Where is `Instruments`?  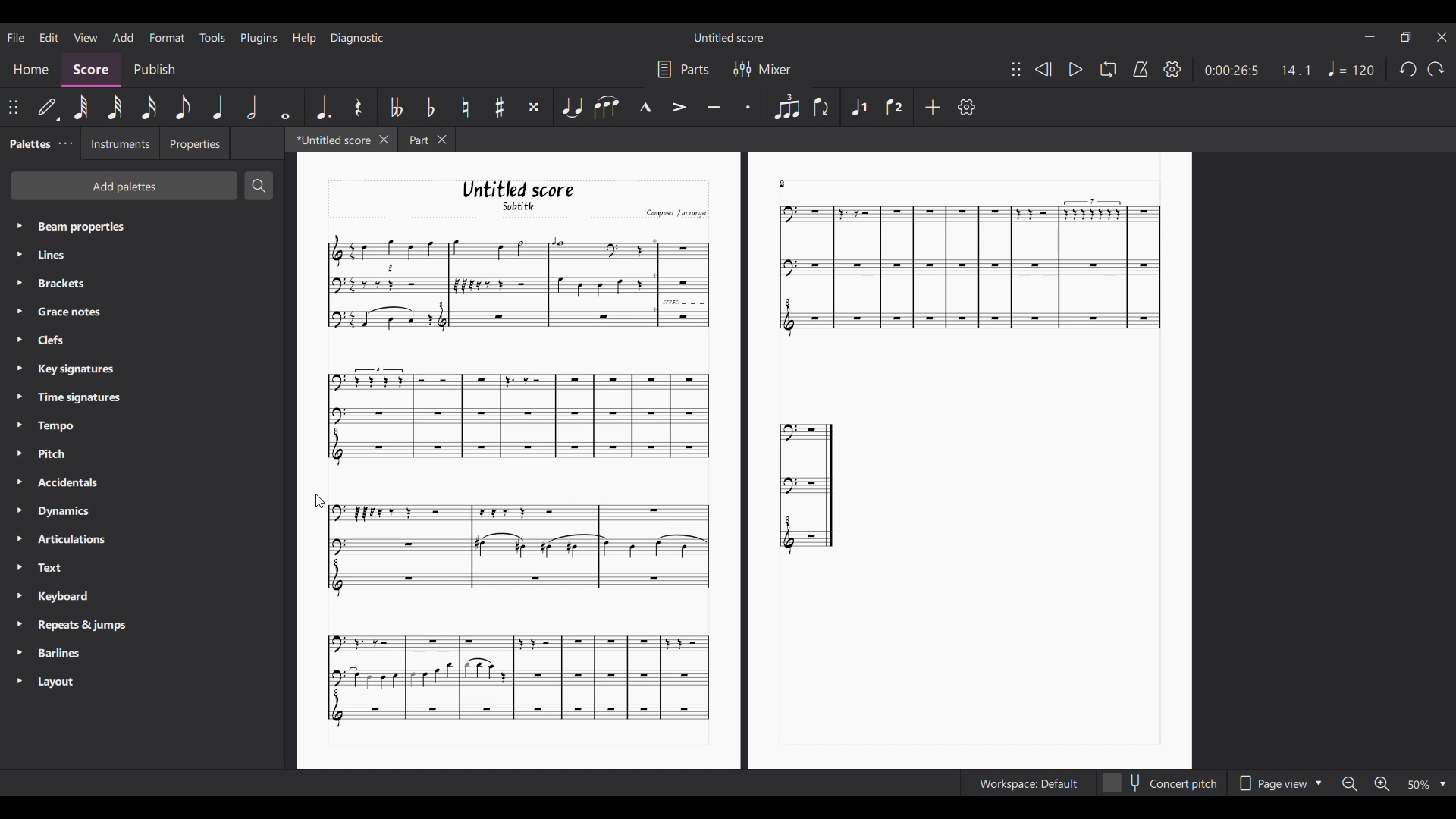
Instruments is located at coordinates (116, 143).